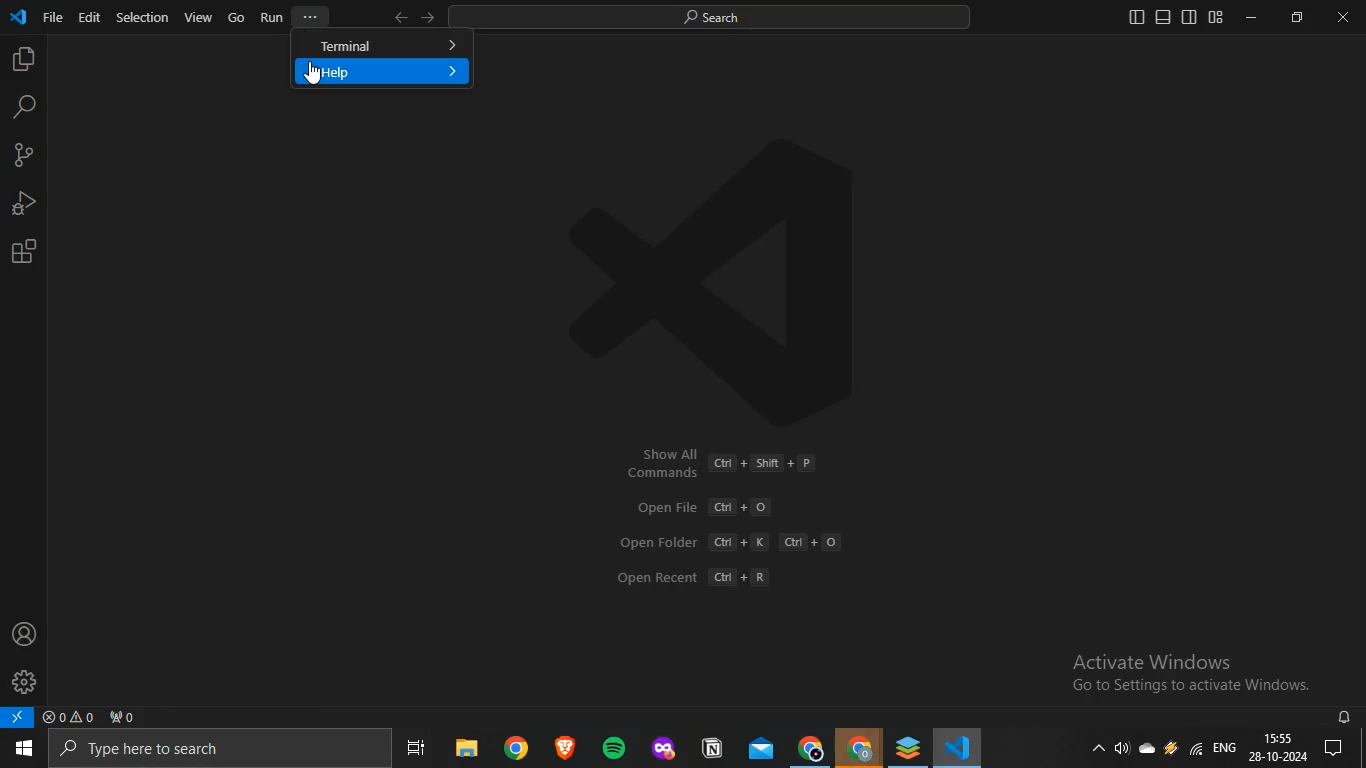 This screenshot has width=1366, height=768. What do you see at coordinates (610, 748) in the screenshot?
I see `spotify` at bounding box center [610, 748].